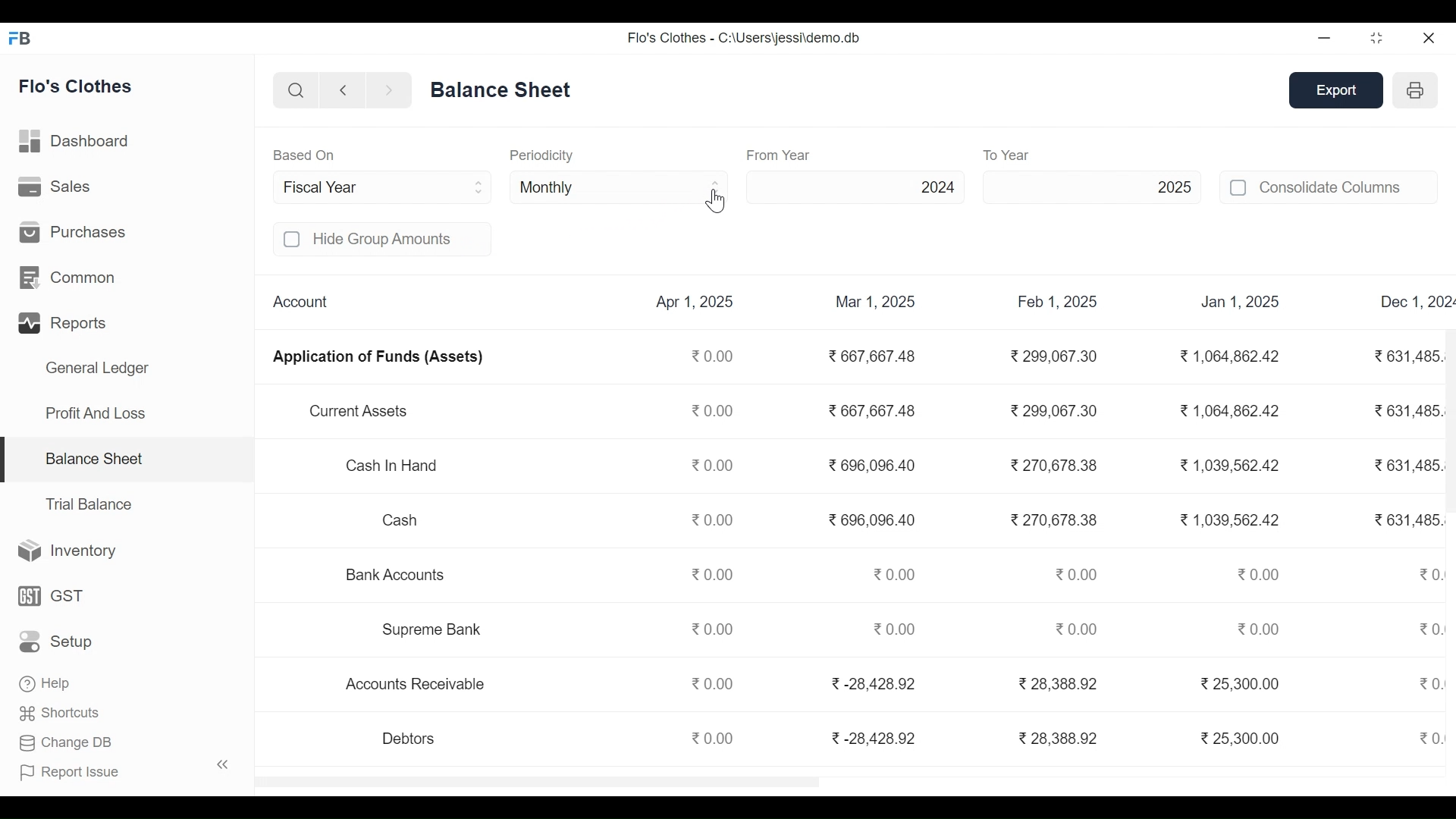 The image size is (1456, 819). I want to click on restore view, so click(1378, 39).